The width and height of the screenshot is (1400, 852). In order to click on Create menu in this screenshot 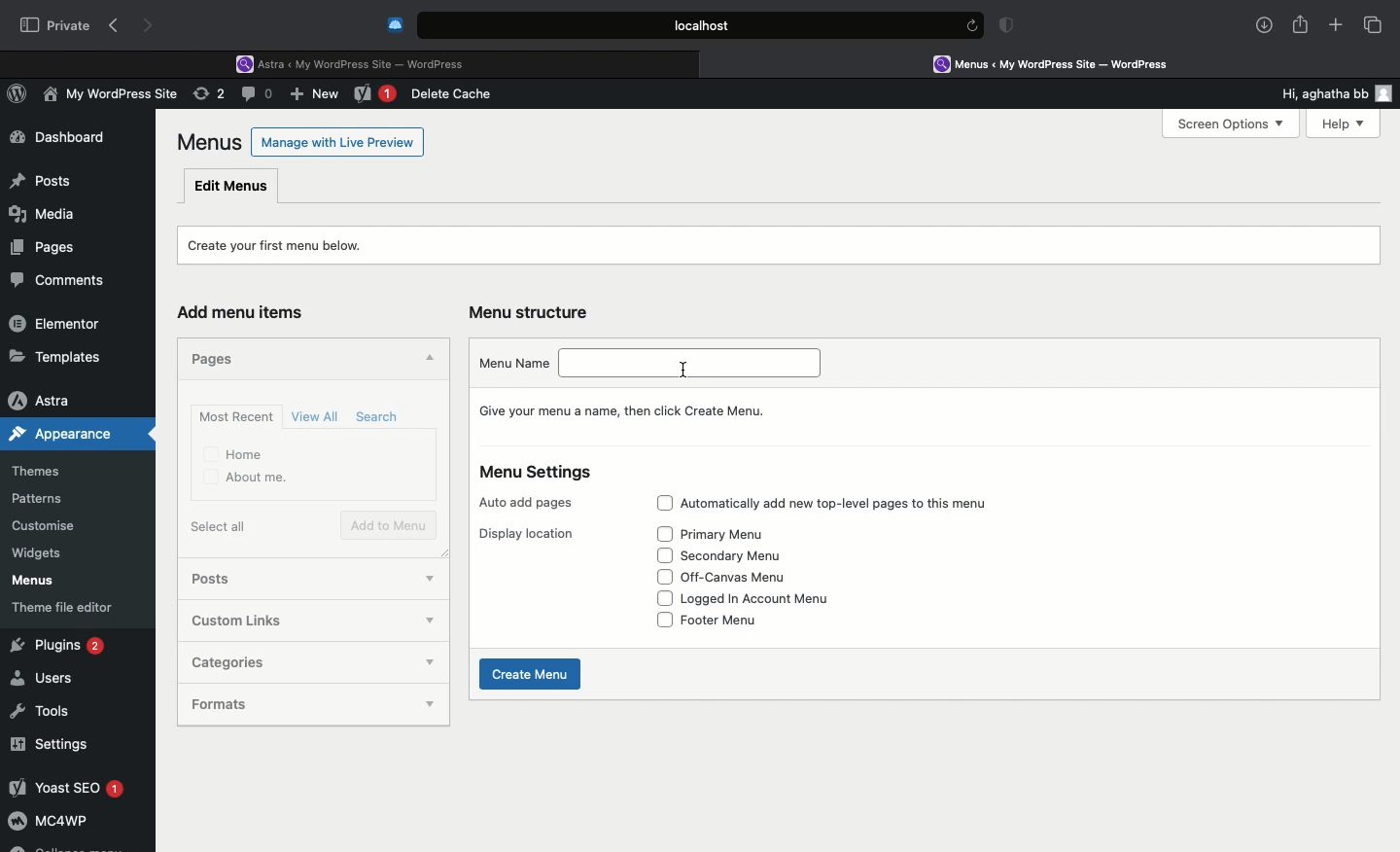, I will do `click(533, 674)`.